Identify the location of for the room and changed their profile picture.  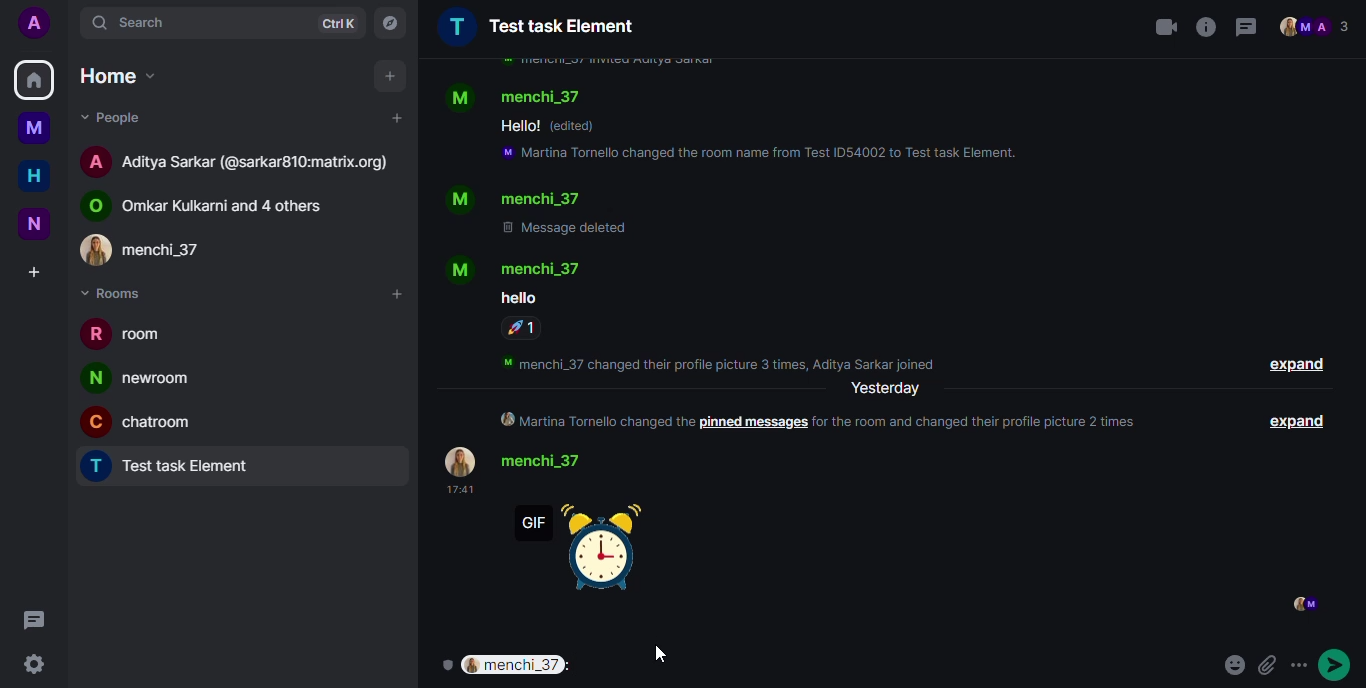
(984, 421).